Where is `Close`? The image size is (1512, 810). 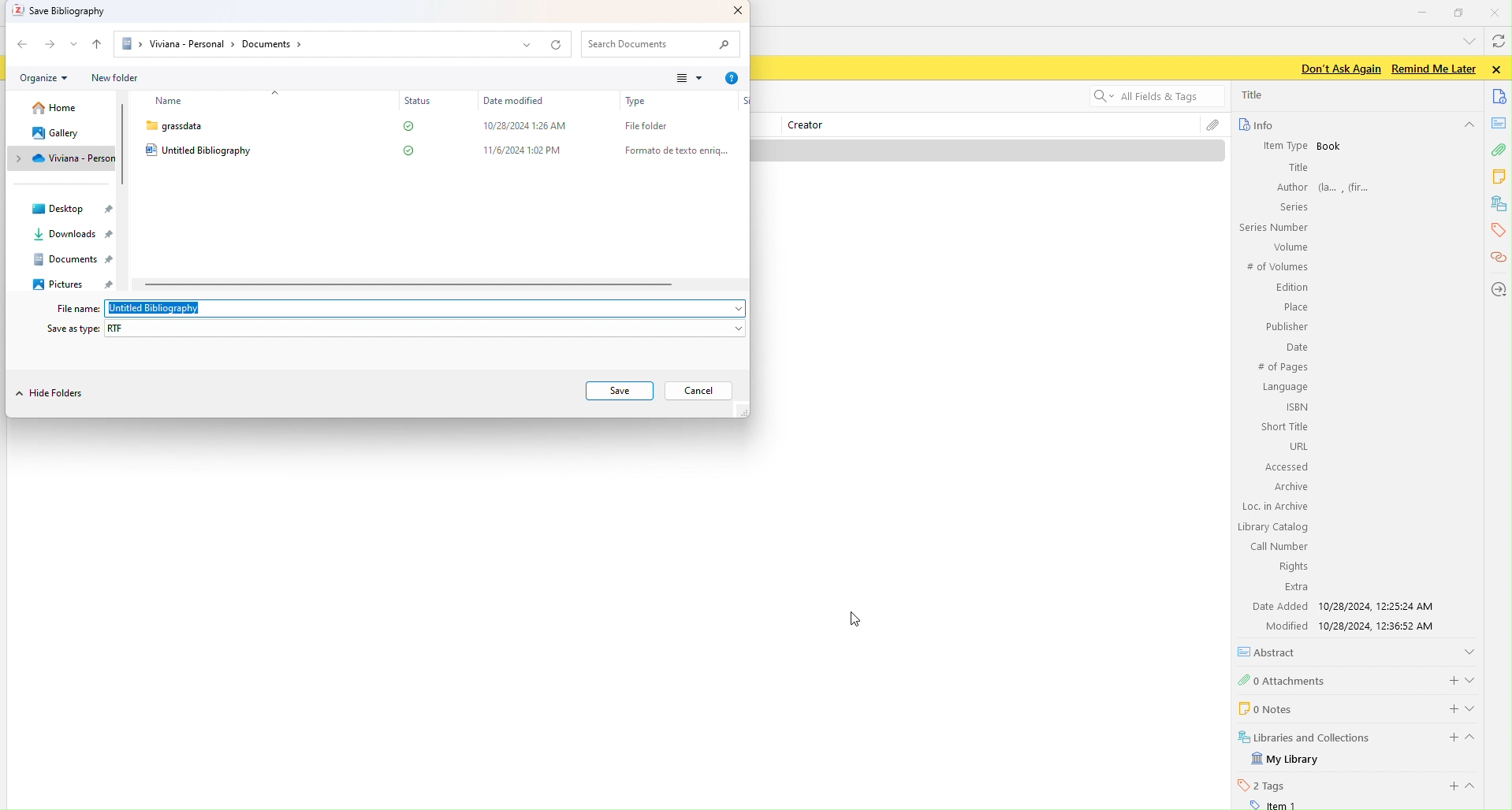
Close is located at coordinates (732, 12).